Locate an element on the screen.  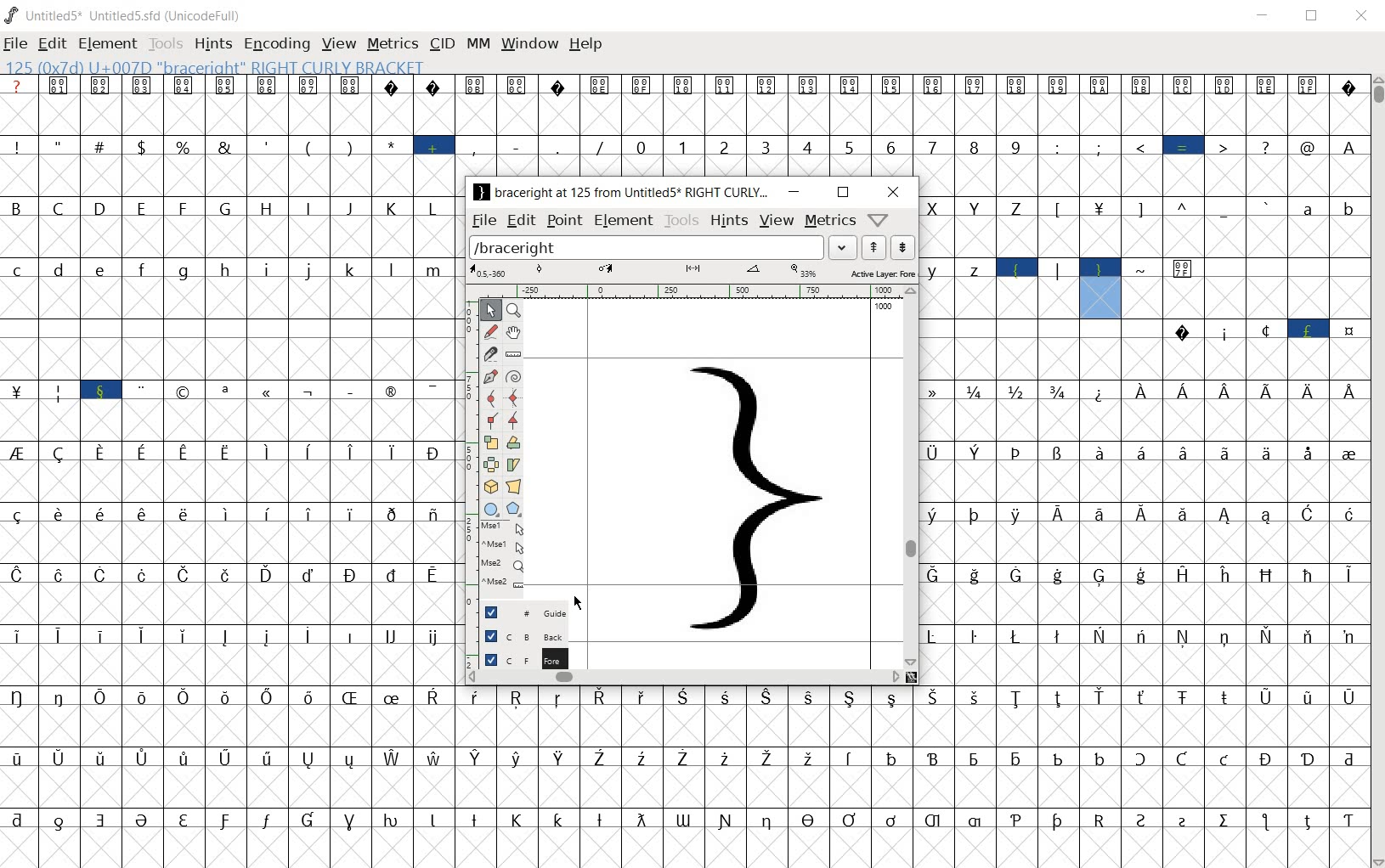
point is located at coordinates (564, 220).